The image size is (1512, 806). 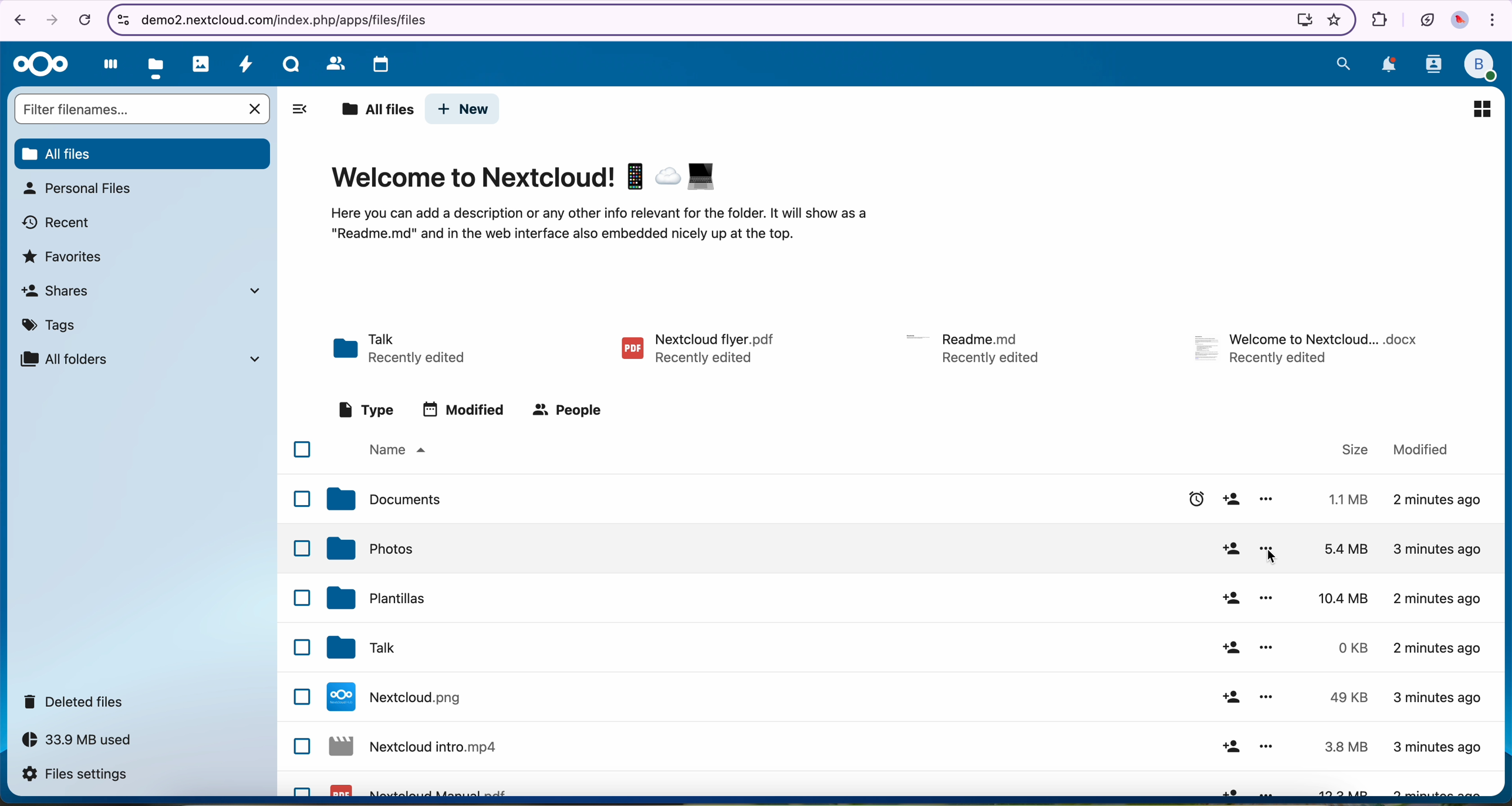 What do you see at coordinates (301, 110) in the screenshot?
I see `hide tabs` at bounding box center [301, 110].